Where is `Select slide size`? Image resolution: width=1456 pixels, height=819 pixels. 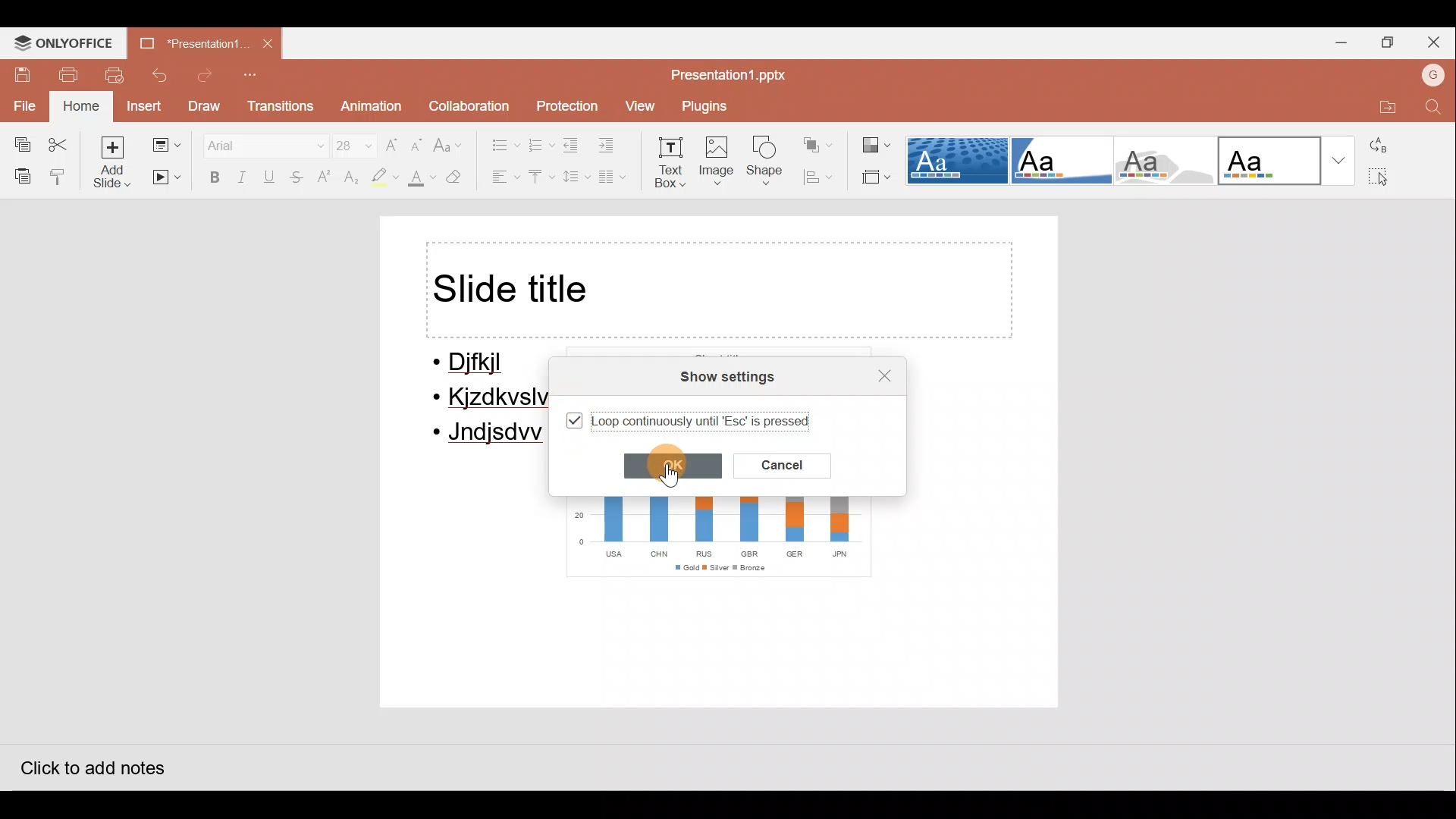 Select slide size is located at coordinates (875, 178).